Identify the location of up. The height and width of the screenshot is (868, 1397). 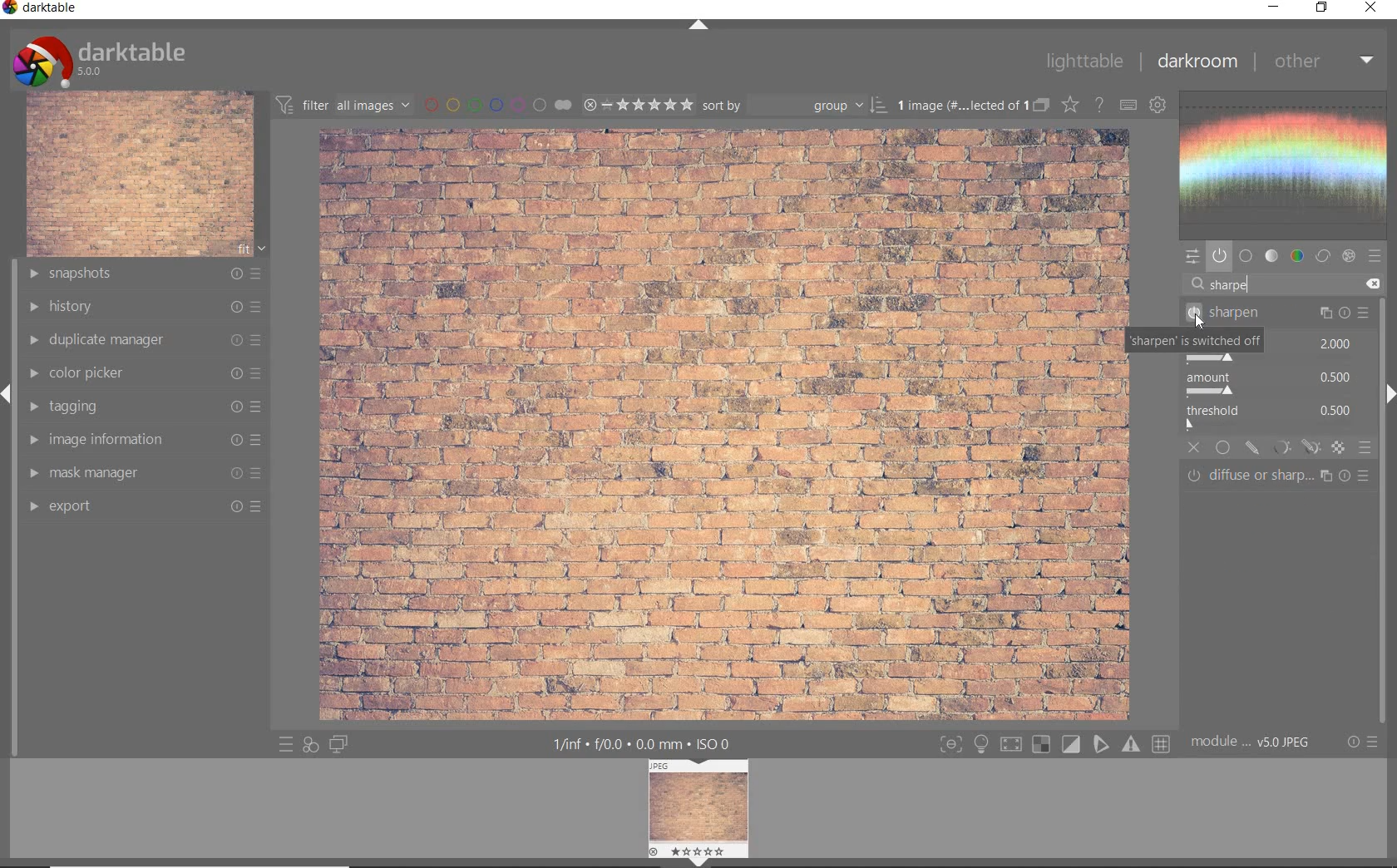
(700, 26).